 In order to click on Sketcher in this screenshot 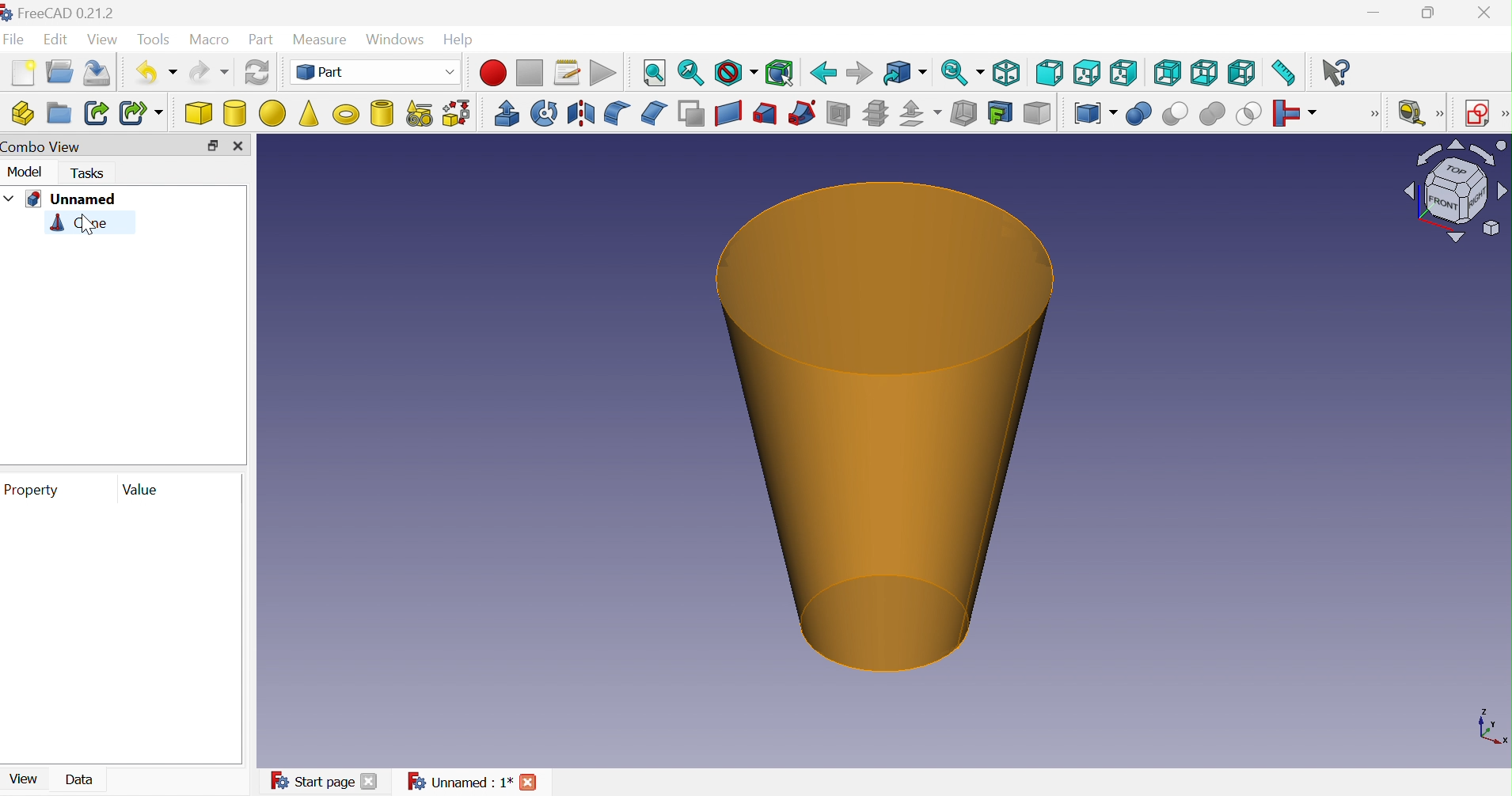, I will do `click(1503, 114)`.